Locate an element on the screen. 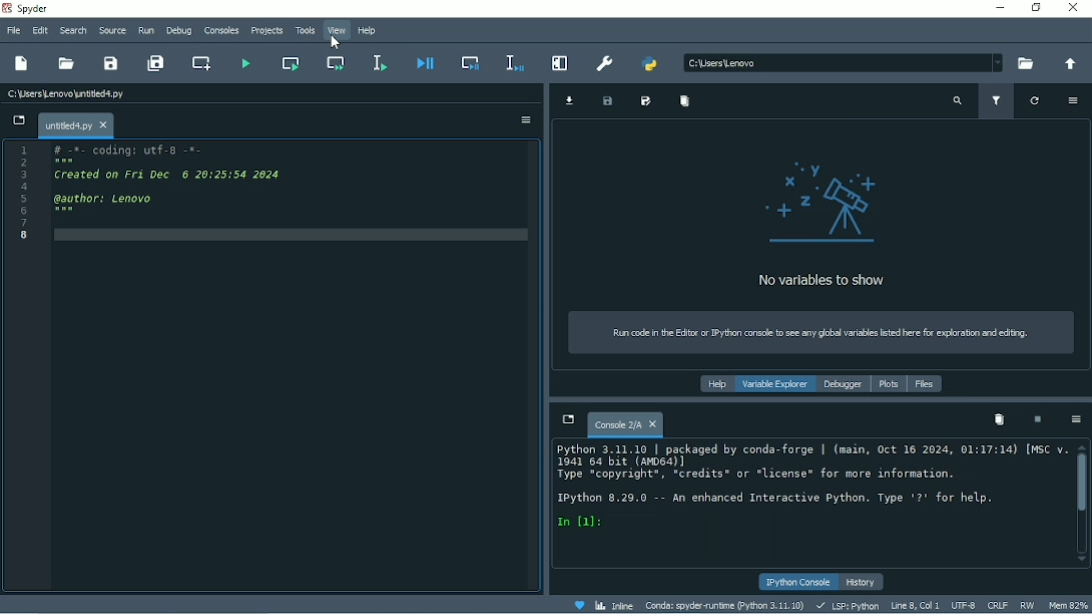 The height and width of the screenshot is (614, 1092). IPython console is located at coordinates (800, 582).